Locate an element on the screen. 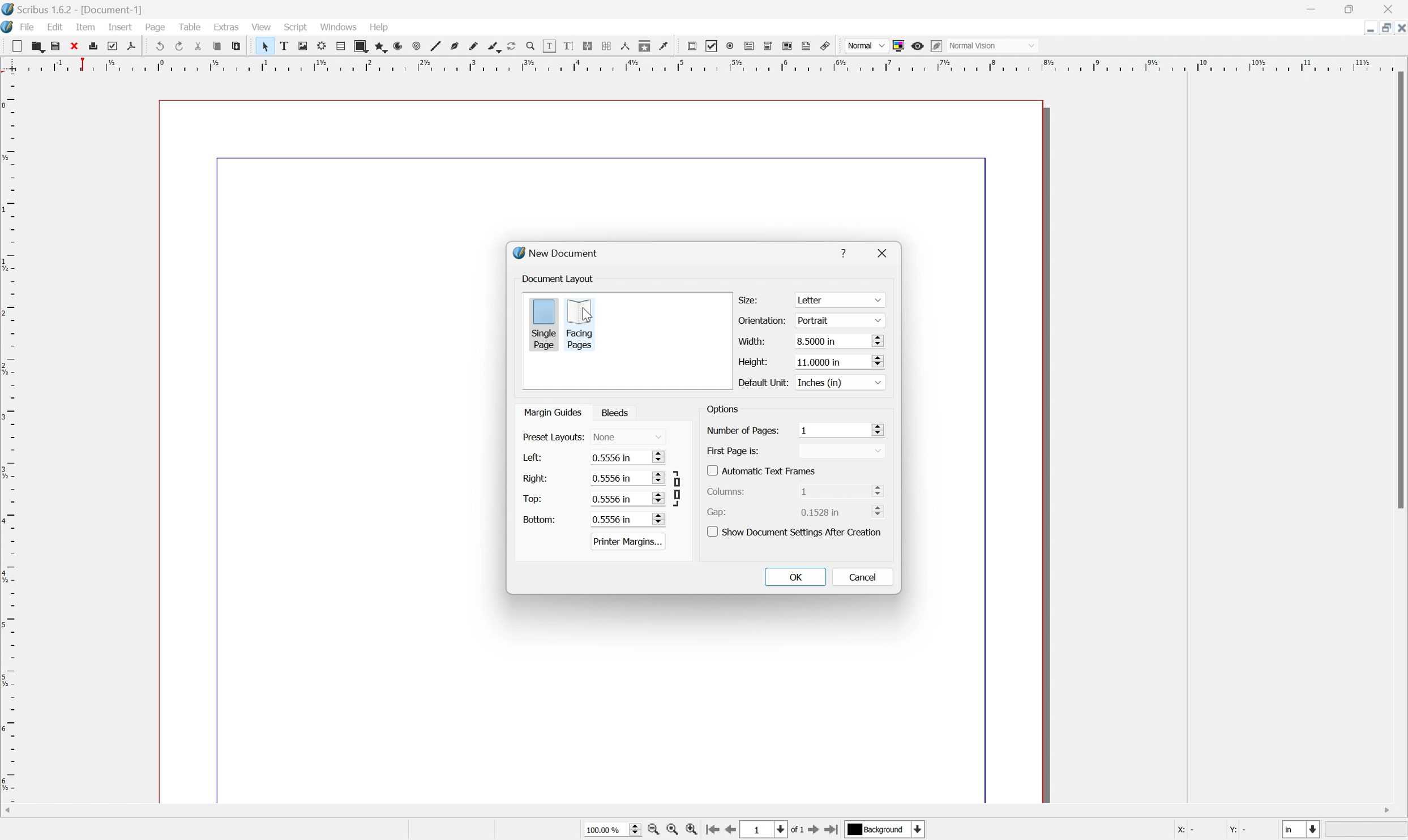  Edit text with story editor is located at coordinates (570, 46).